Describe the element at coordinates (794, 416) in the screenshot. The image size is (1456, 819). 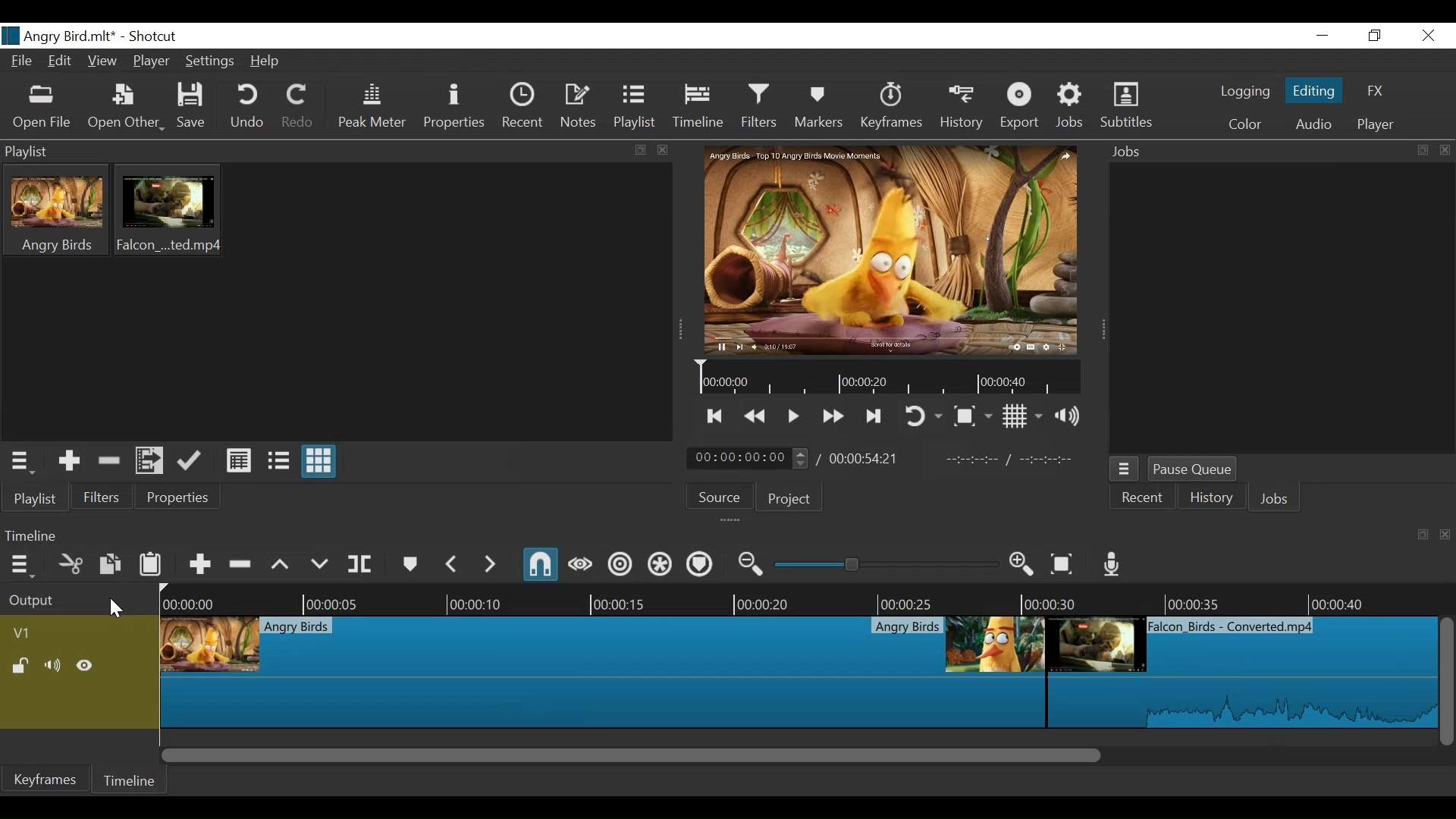
I see `Toggle play or pause` at that location.